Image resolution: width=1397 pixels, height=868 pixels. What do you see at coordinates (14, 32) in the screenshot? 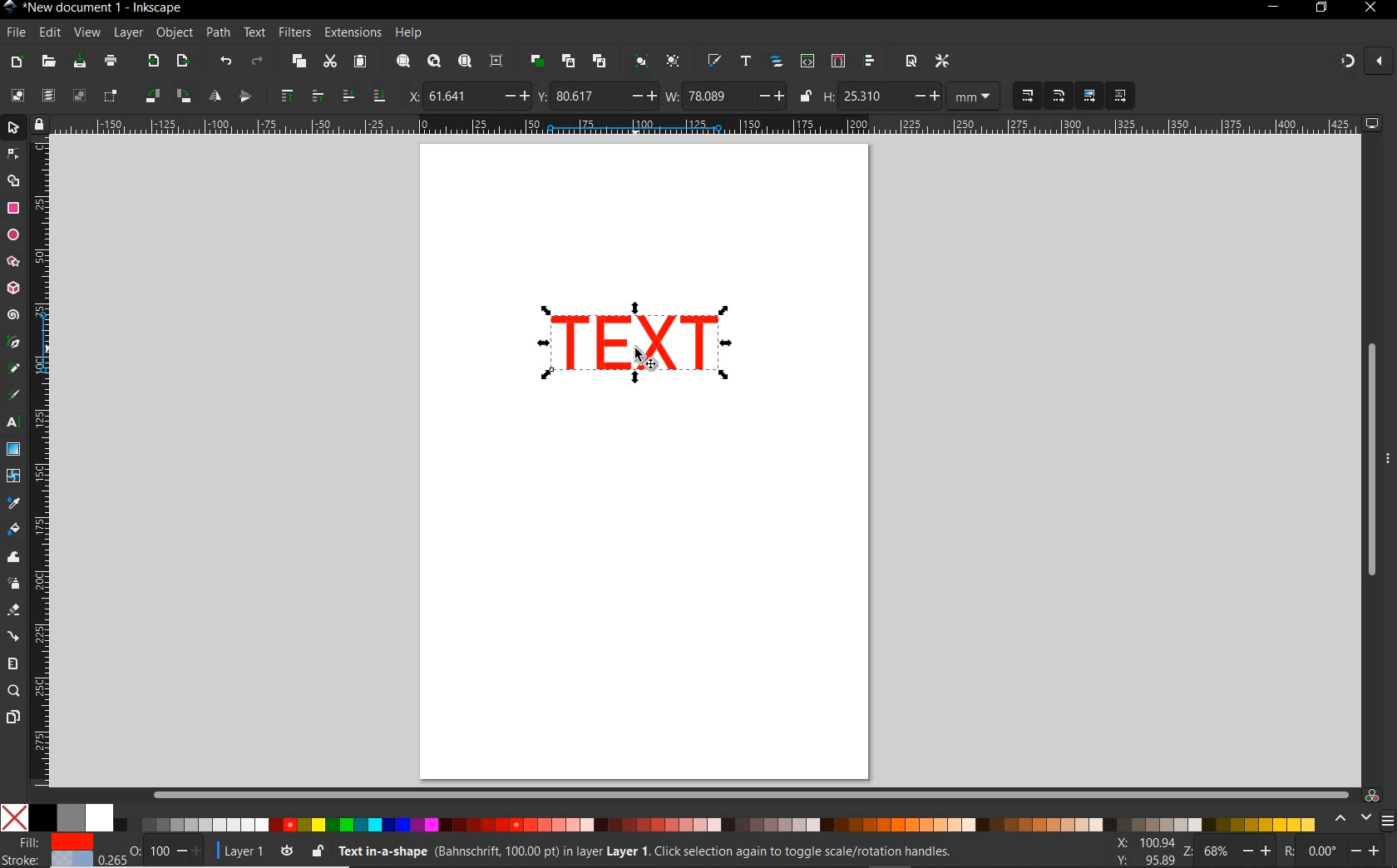
I see `file` at bounding box center [14, 32].